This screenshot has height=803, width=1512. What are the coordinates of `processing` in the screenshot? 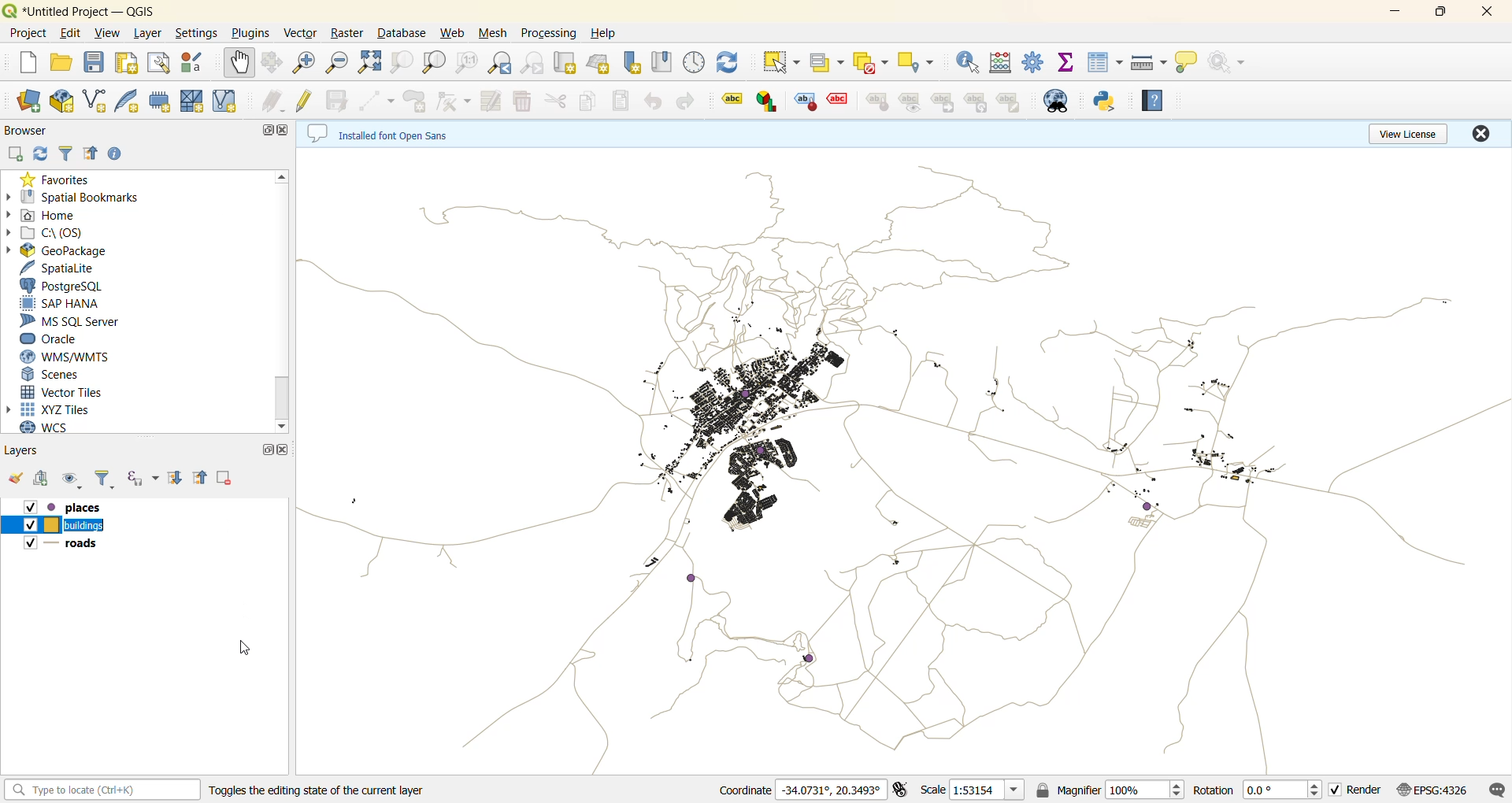 It's located at (551, 31).